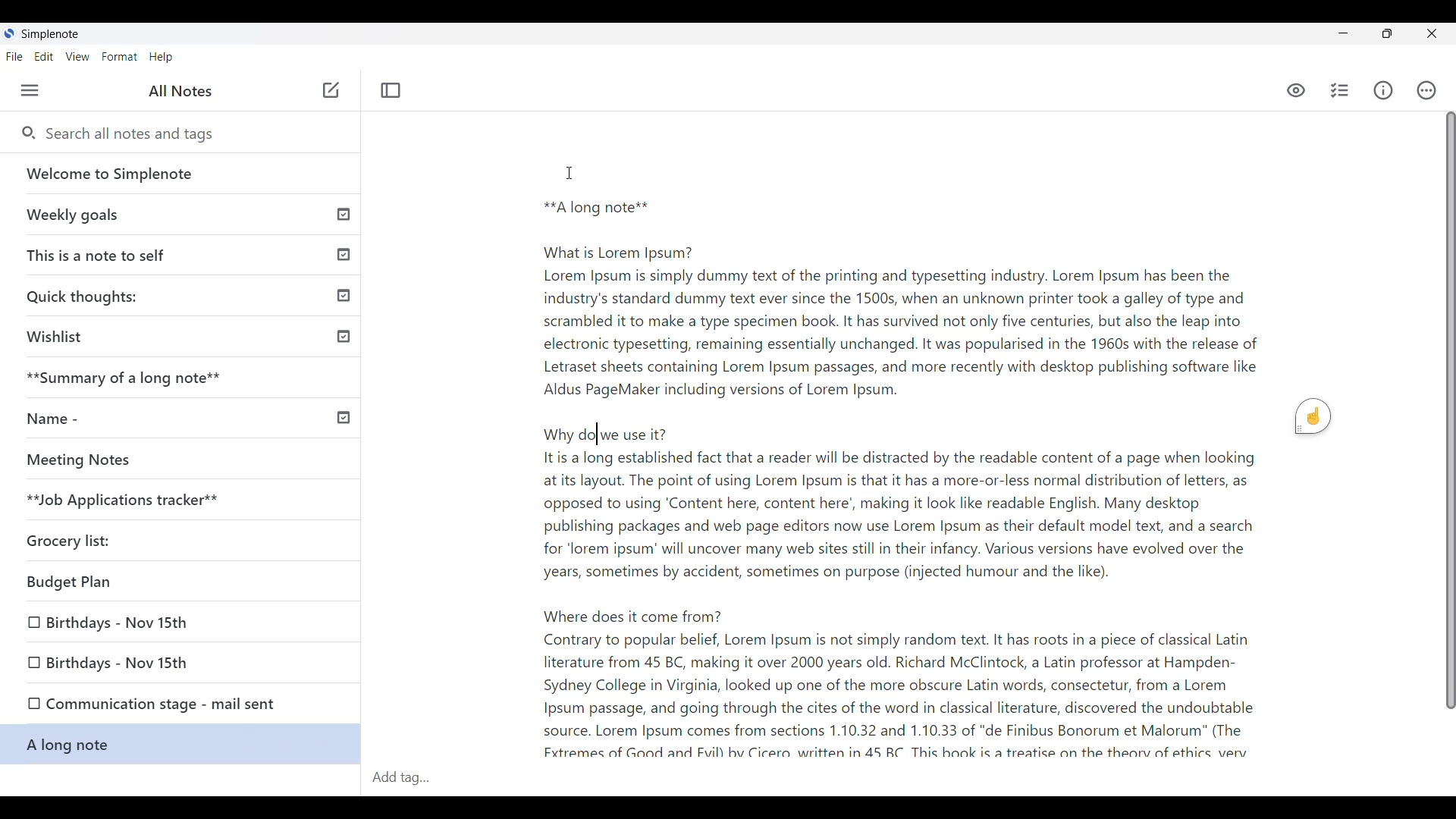 The height and width of the screenshot is (819, 1456). Describe the element at coordinates (1294, 91) in the screenshot. I see `Markdown preview` at that location.